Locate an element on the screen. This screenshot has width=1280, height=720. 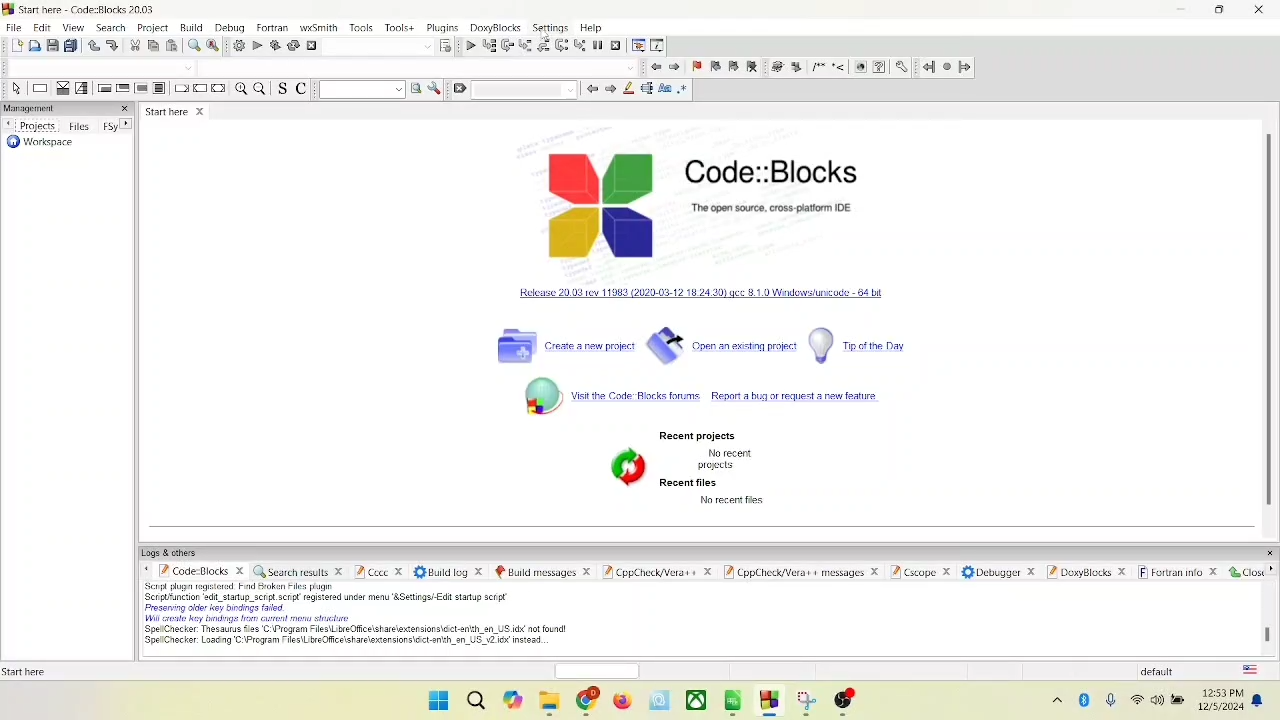
find is located at coordinates (193, 45).